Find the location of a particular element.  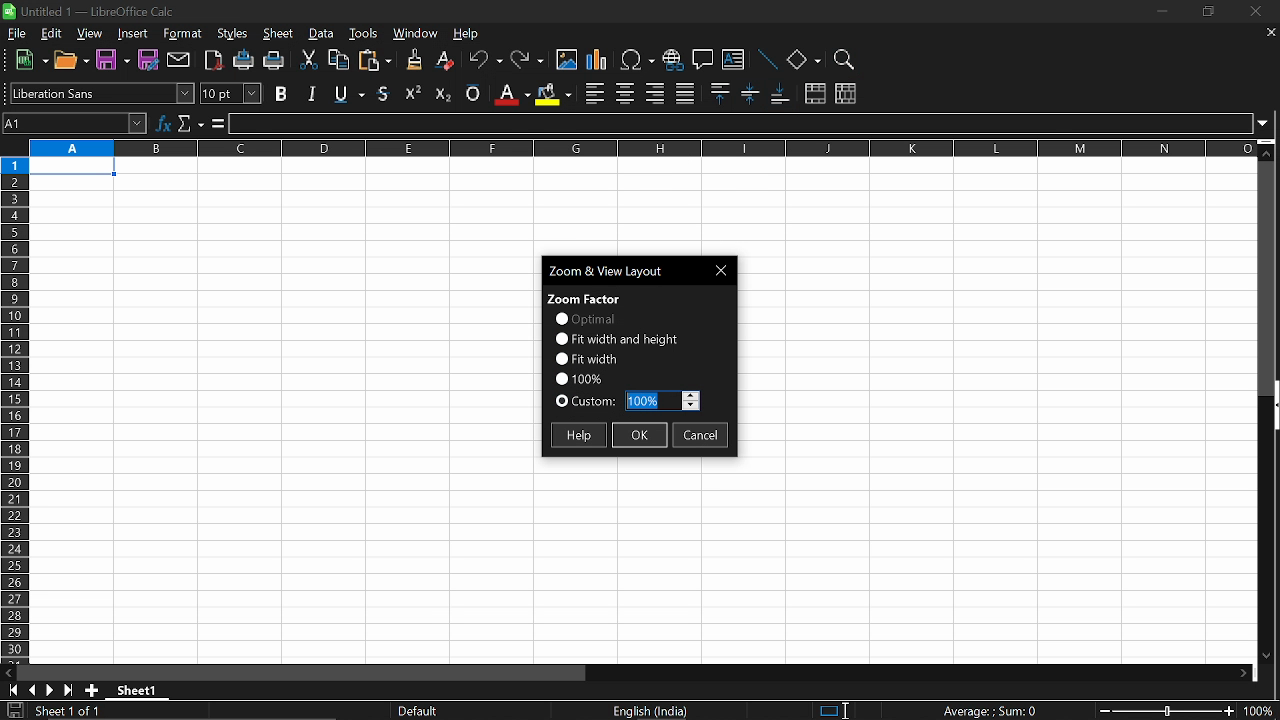

open is located at coordinates (73, 63).